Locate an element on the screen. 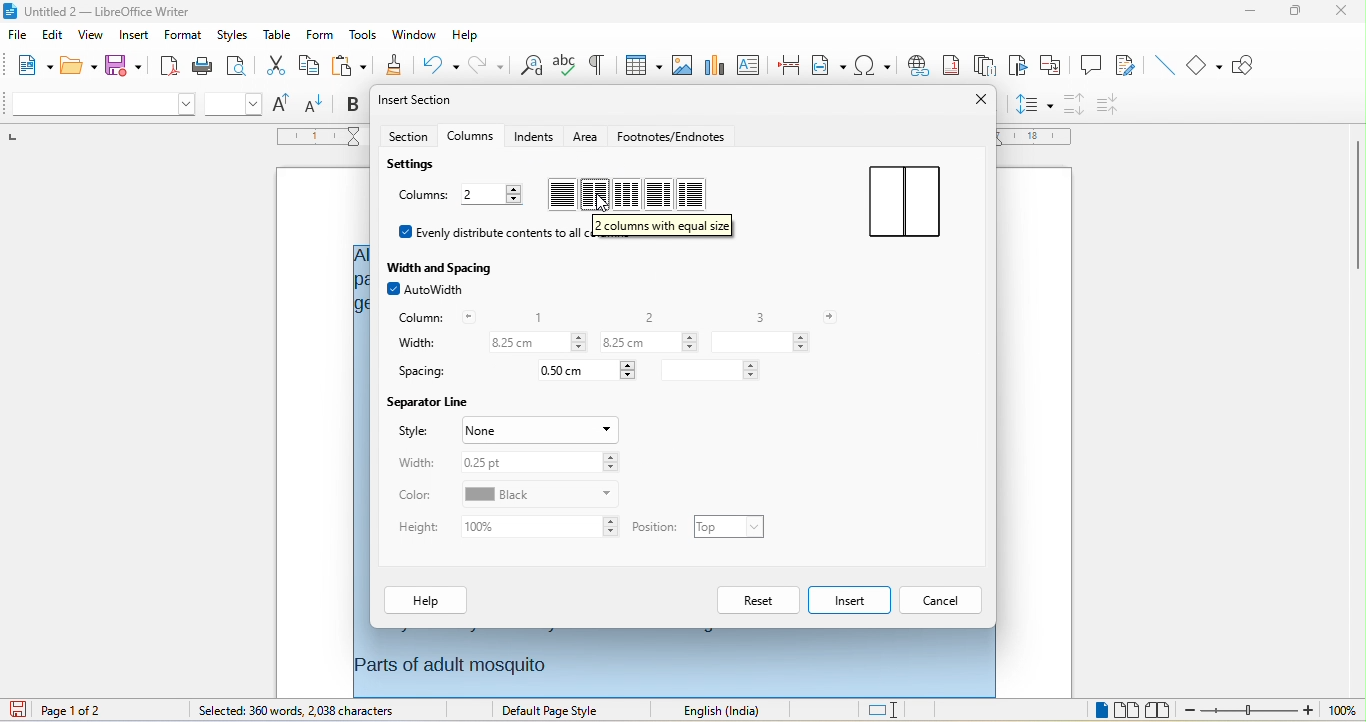  untitled 2 - libreoffice writer is located at coordinates (100, 10).